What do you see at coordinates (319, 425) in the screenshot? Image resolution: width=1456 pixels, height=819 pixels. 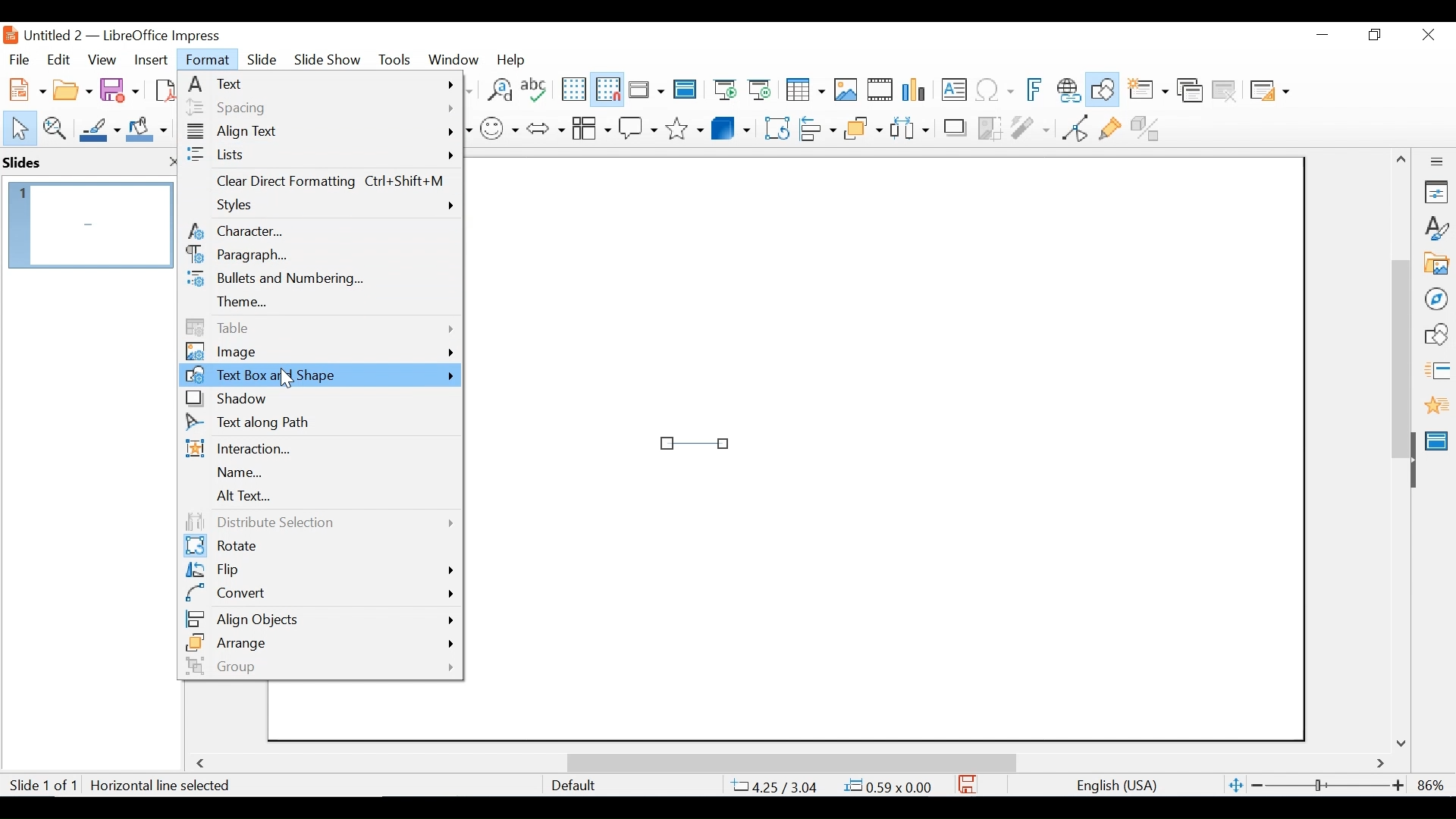 I see `Text along path` at bounding box center [319, 425].